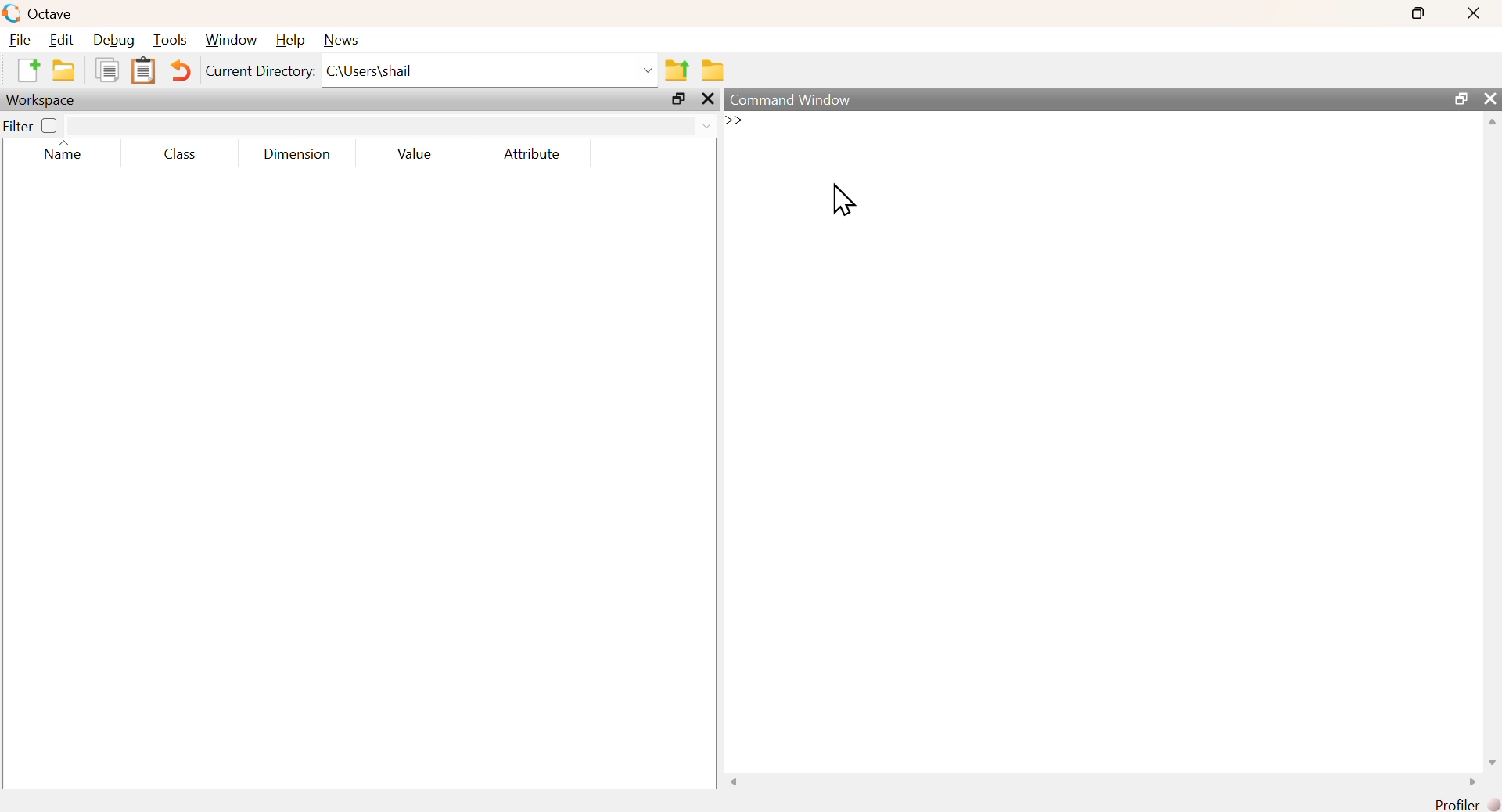 Image resolution: width=1502 pixels, height=812 pixels. Describe the element at coordinates (106, 73) in the screenshot. I see `copy` at that location.